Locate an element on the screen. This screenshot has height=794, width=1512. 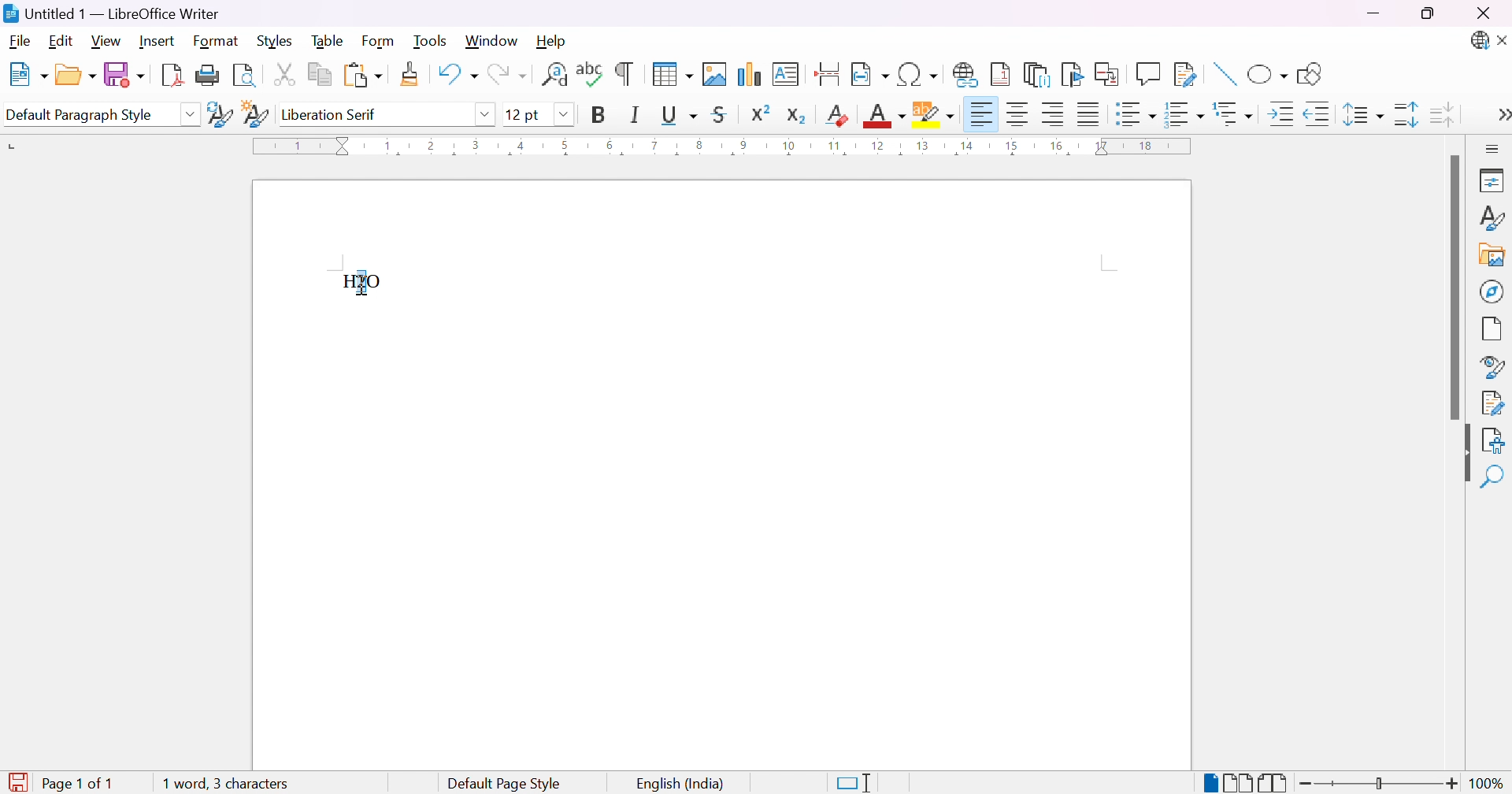
View is located at coordinates (108, 40).